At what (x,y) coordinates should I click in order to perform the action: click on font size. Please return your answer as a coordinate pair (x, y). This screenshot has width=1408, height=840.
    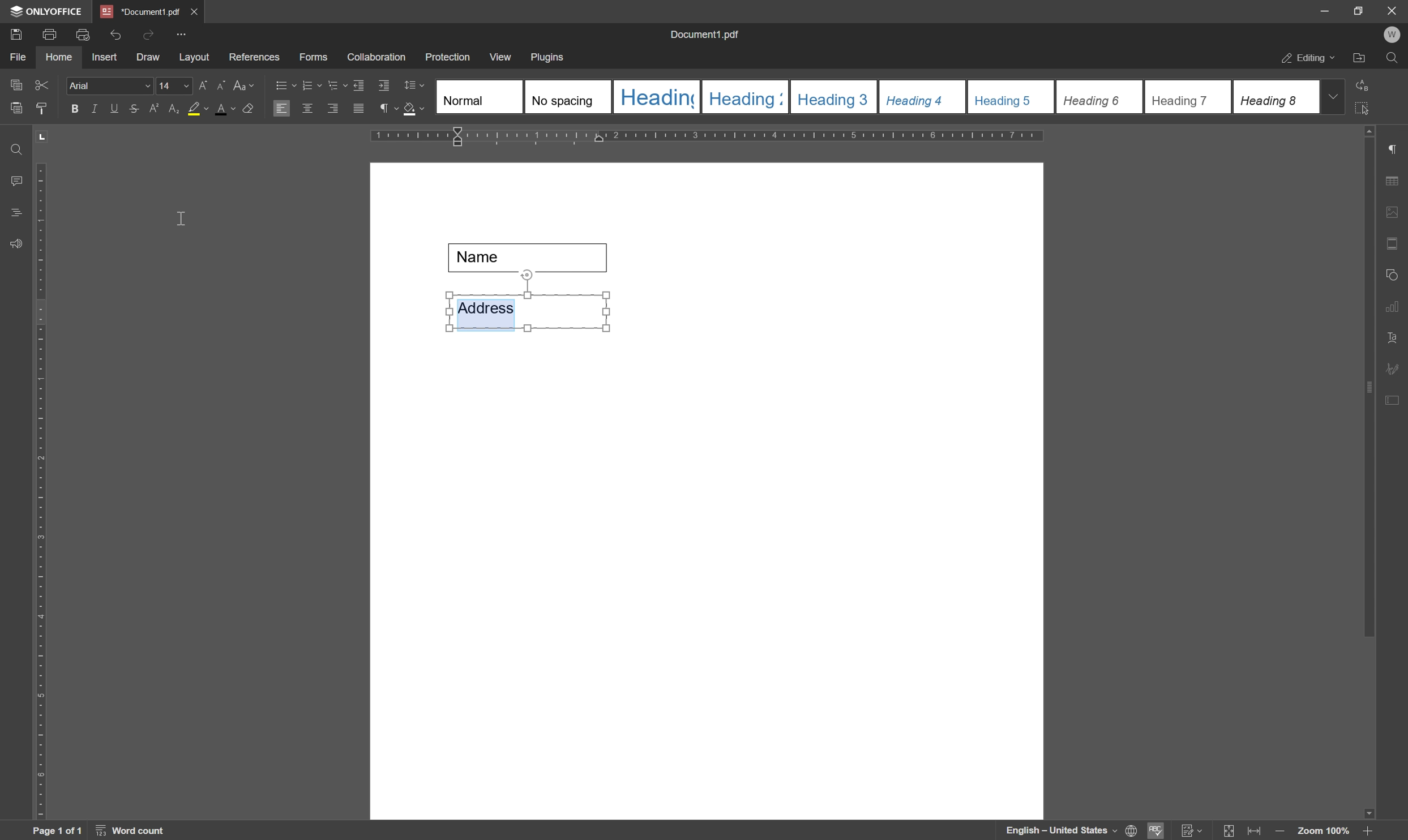
    Looking at the image, I should click on (166, 85).